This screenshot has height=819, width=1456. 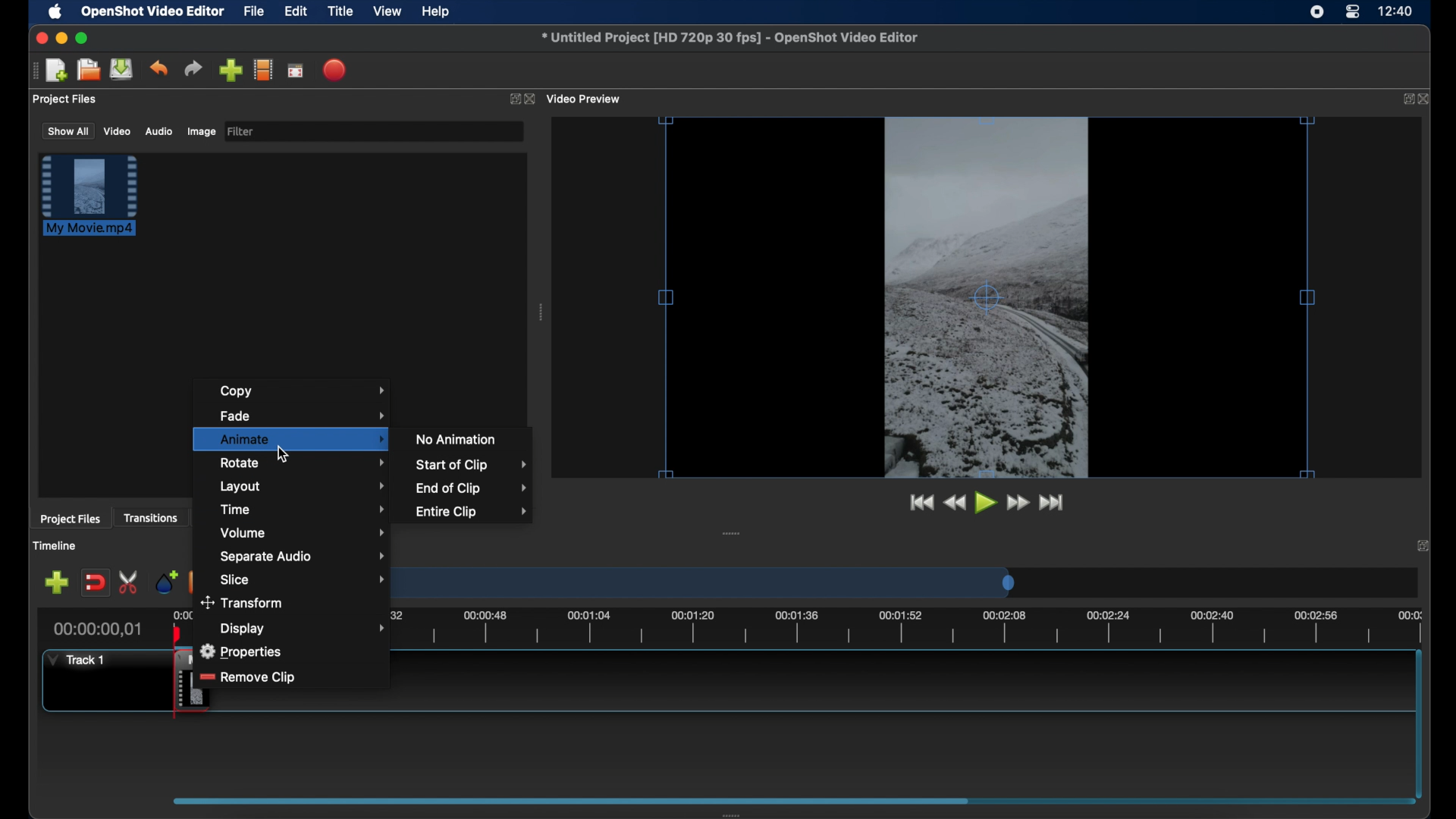 What do you see at coordinates (61, 38) in the screenshot?
I see `minimize` at bounding box center [61, 38].